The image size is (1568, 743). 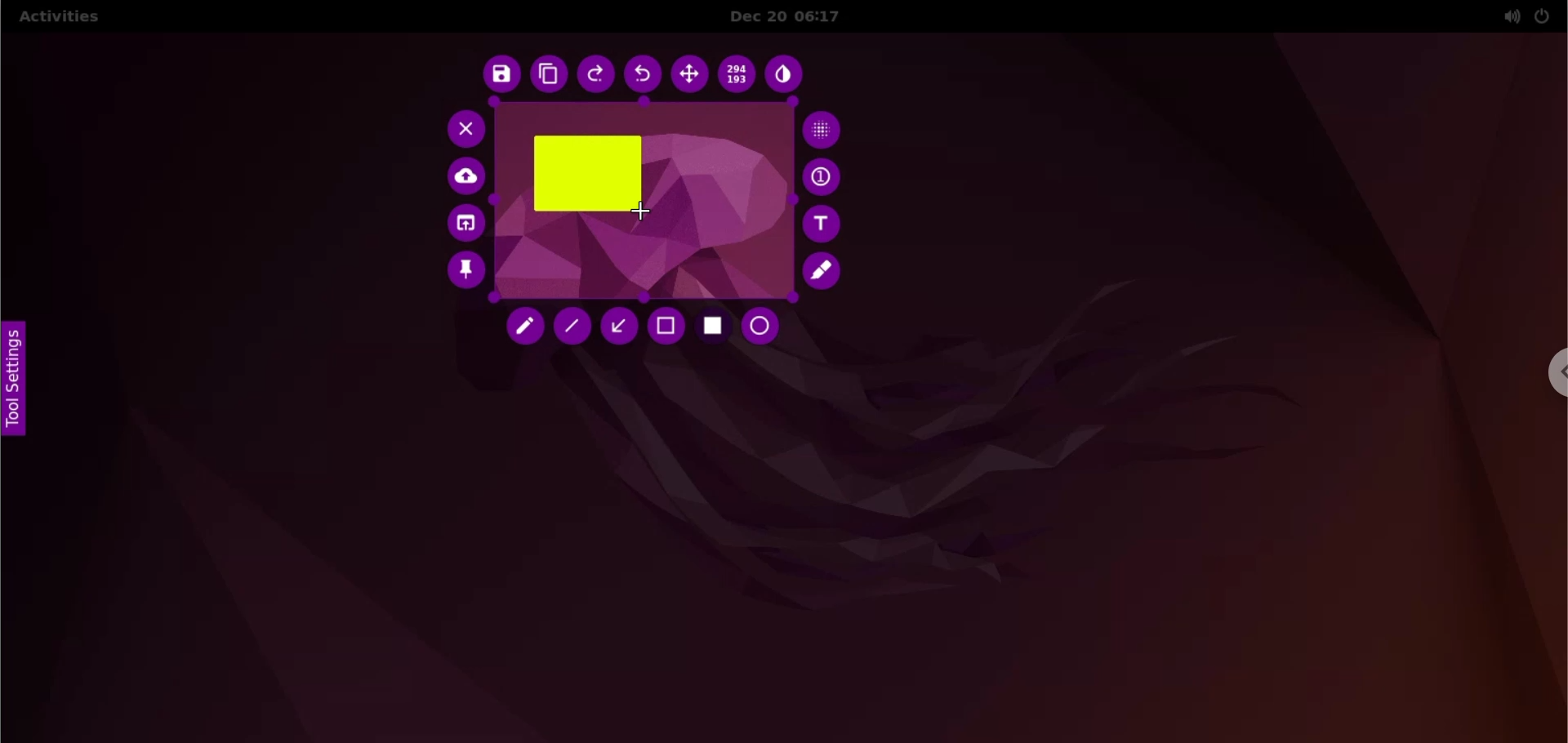 I want to click on redo, so click(x=597, y=76).